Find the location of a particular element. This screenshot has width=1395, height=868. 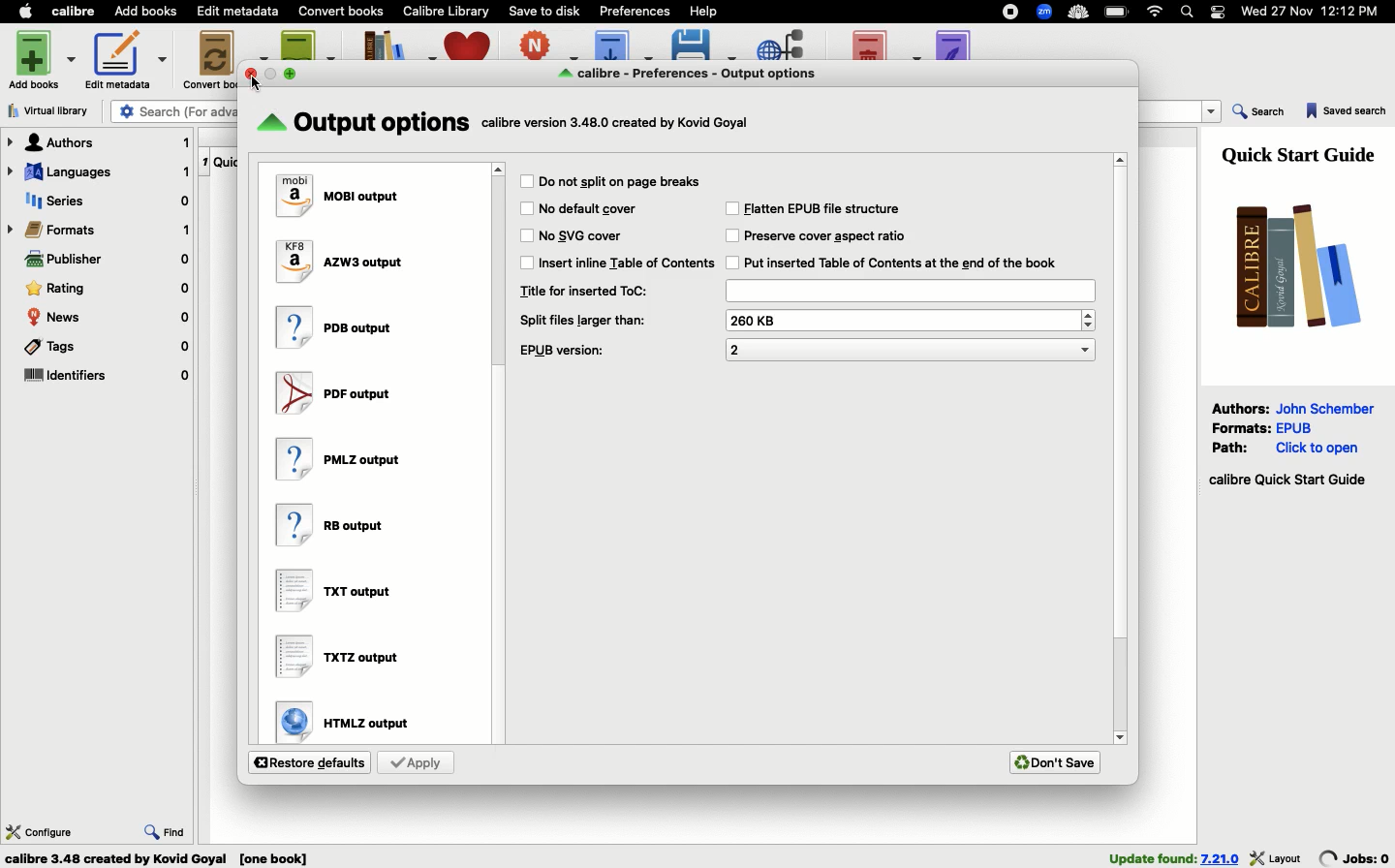

PDB is located at coordinates (335, 325).